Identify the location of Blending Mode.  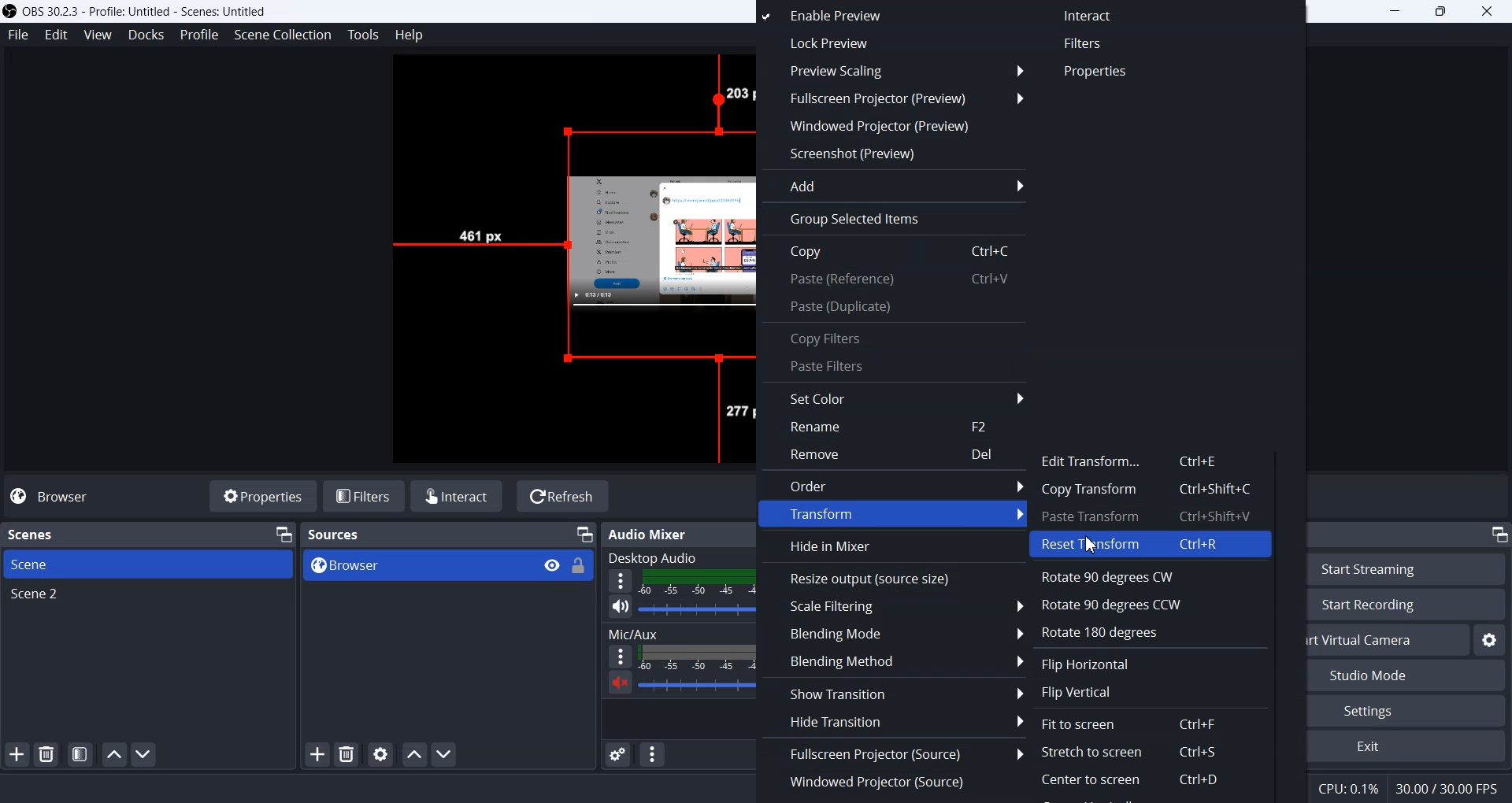
(892, 634).